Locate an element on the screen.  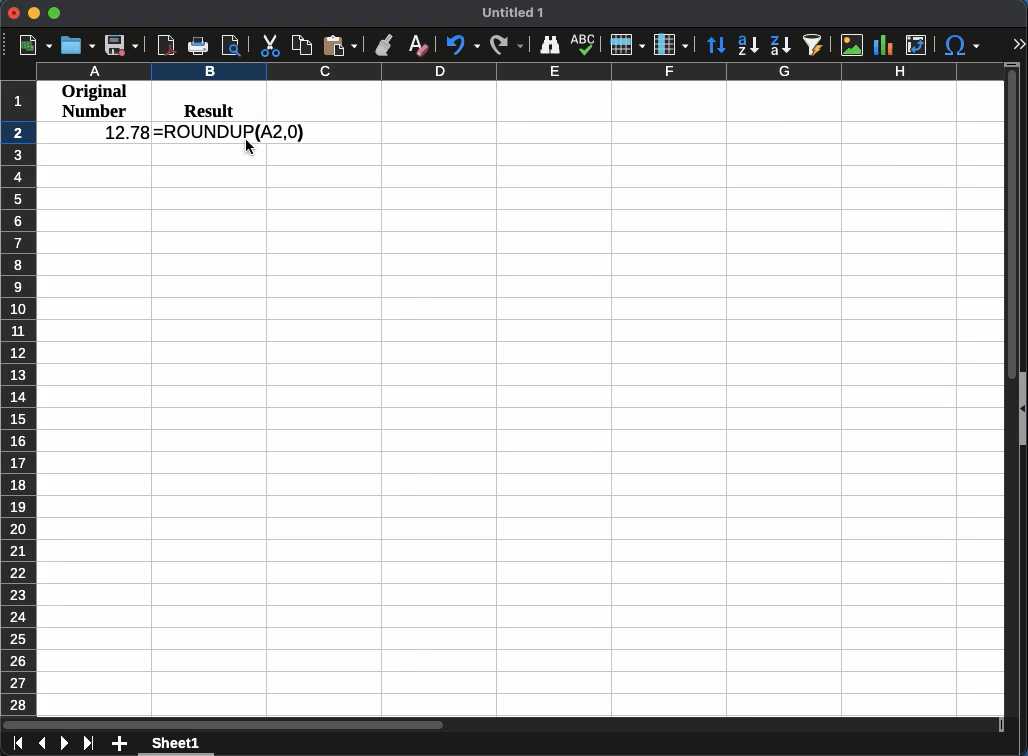
image is located at coordinates (852, 47).